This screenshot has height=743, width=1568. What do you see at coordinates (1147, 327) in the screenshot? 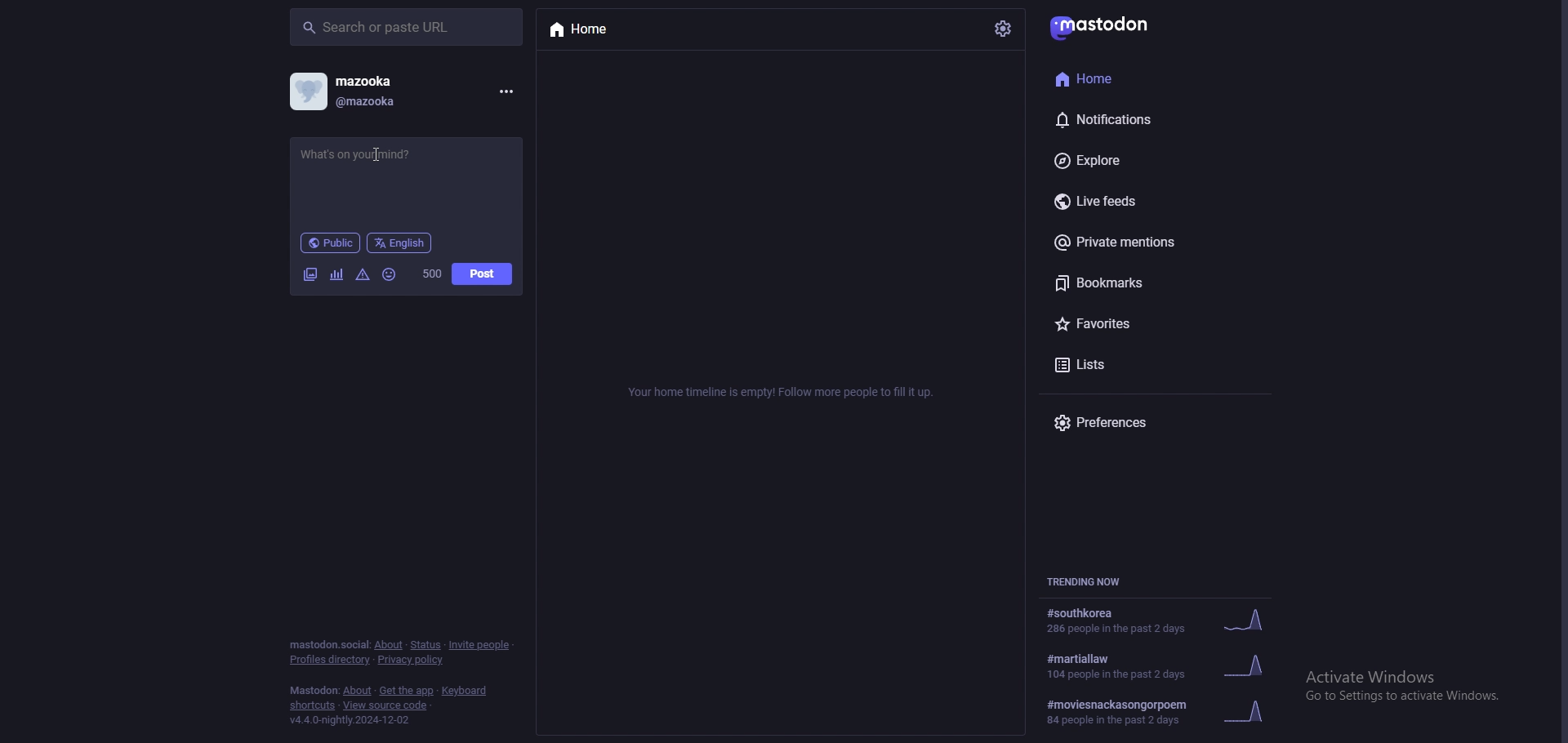
I see `favourites` at bounding box center [1147, 327].